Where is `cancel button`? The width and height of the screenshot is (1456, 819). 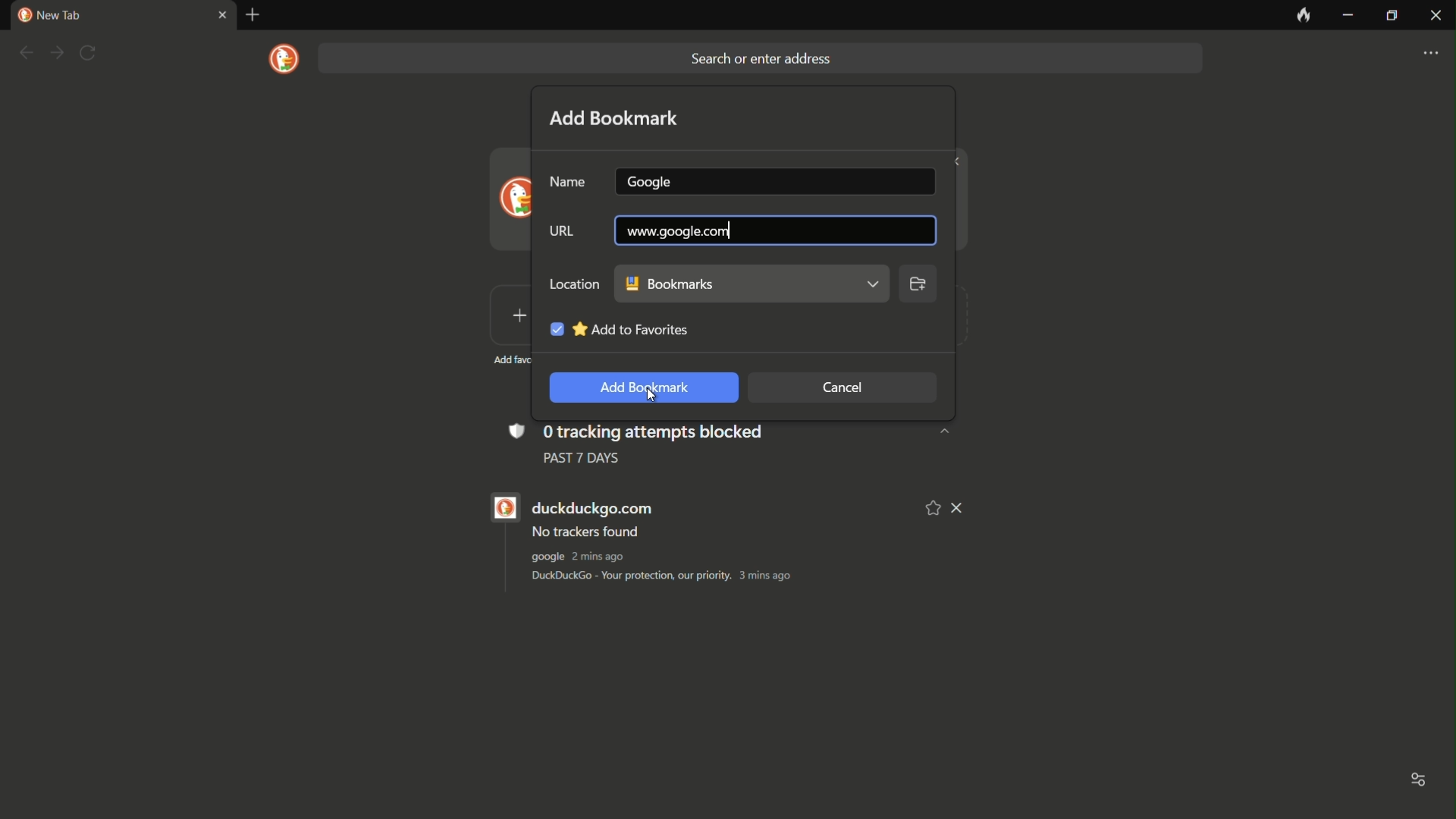 cancel button is located at coordinates (843, 388).